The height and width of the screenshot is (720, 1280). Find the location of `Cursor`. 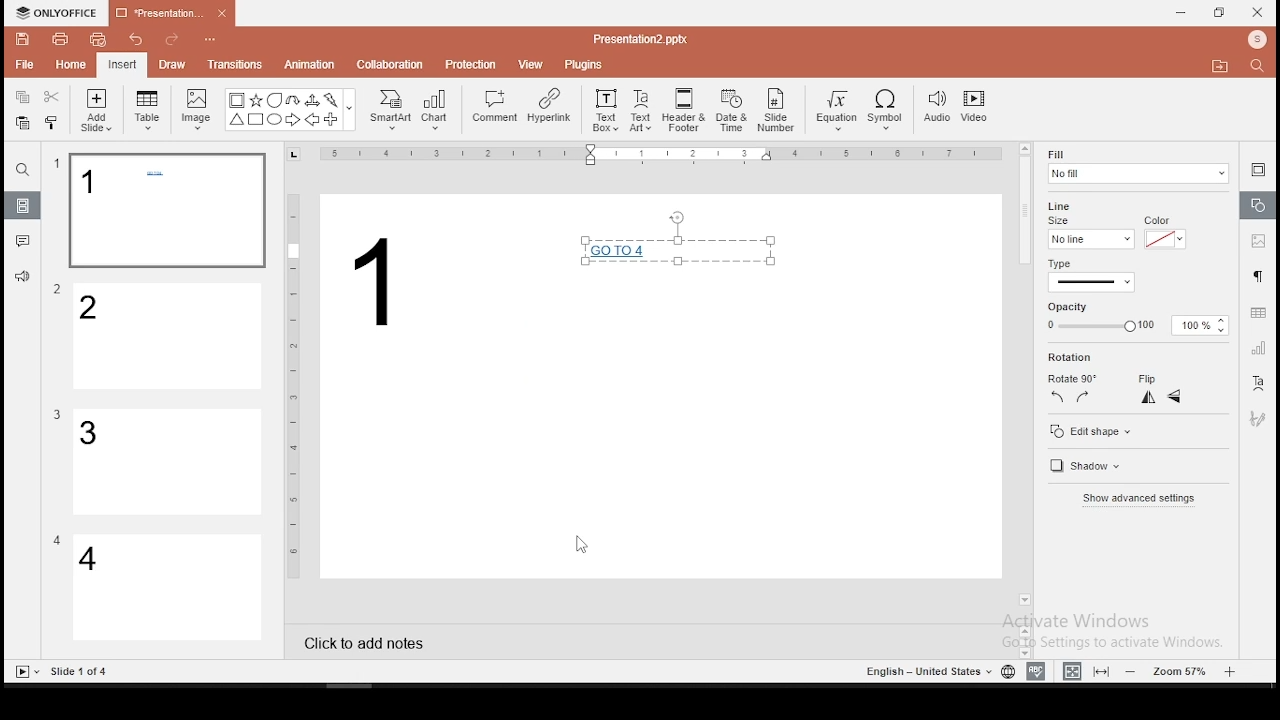

Cursor is located at coordinates (580, 546).